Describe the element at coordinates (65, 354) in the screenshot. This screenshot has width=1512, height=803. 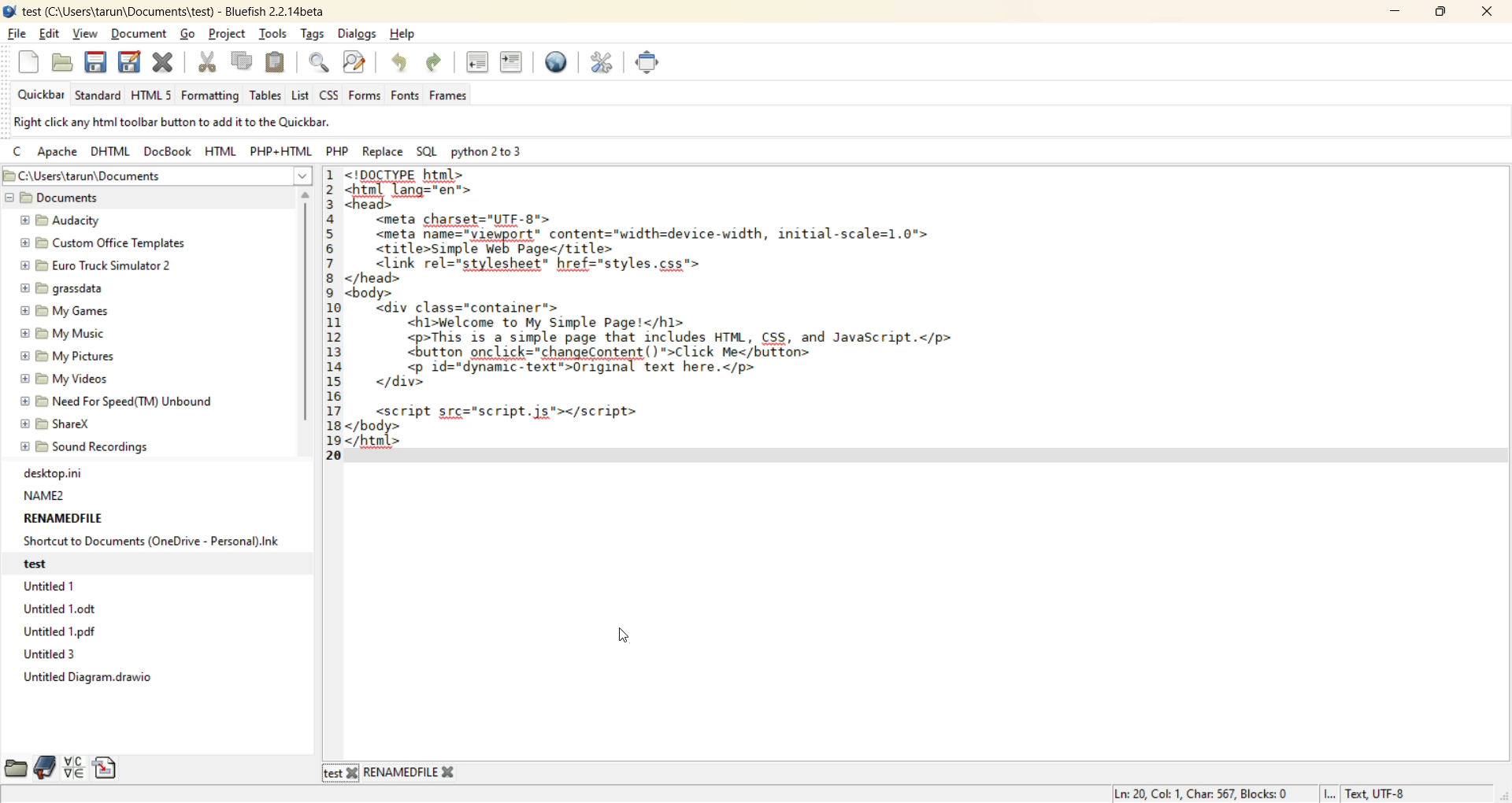
I see `My Pictures` at that location.